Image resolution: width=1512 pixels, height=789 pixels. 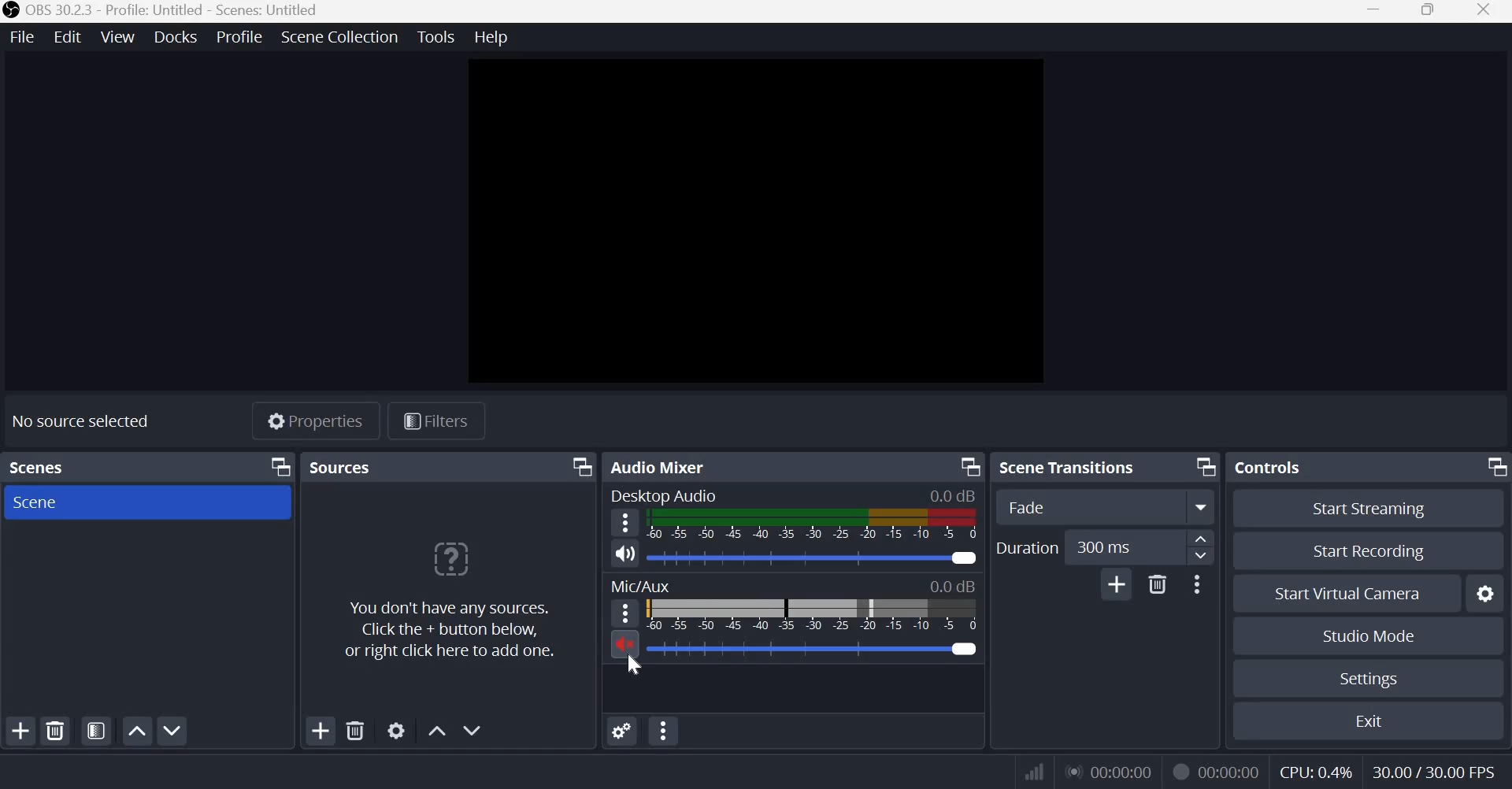 What do you see at coordinates (1204, 468) in the screenshot?
I see `Dock Options icon` at bounding box center [1204, 468].